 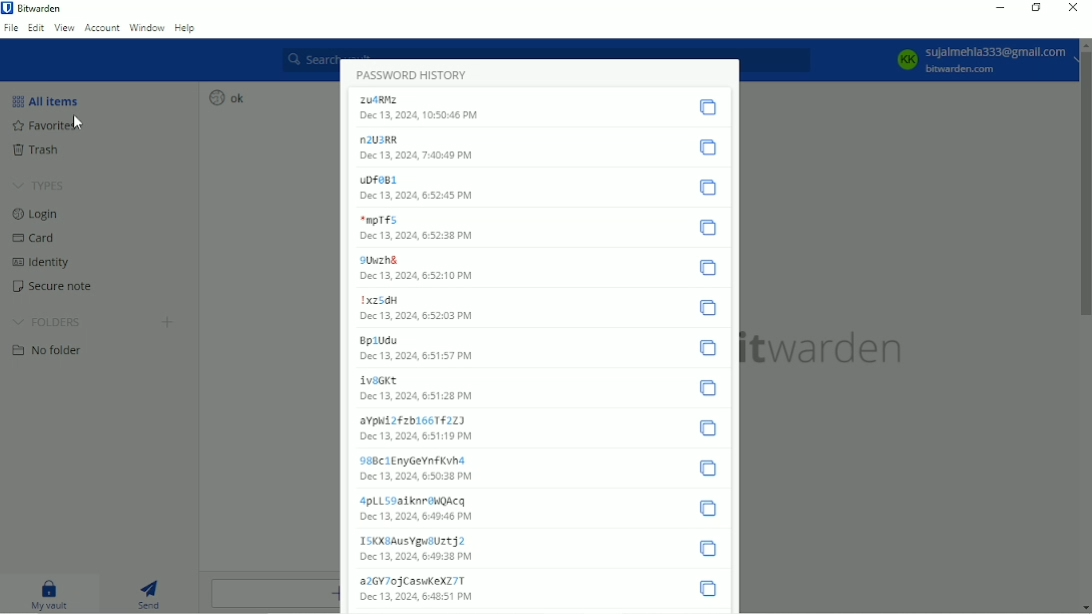 What do you see at coordinates (417, 318) in the screenshot?
I see `Dec 13, 2024, 6:52:03 PM` at bounding box center [417, 318].